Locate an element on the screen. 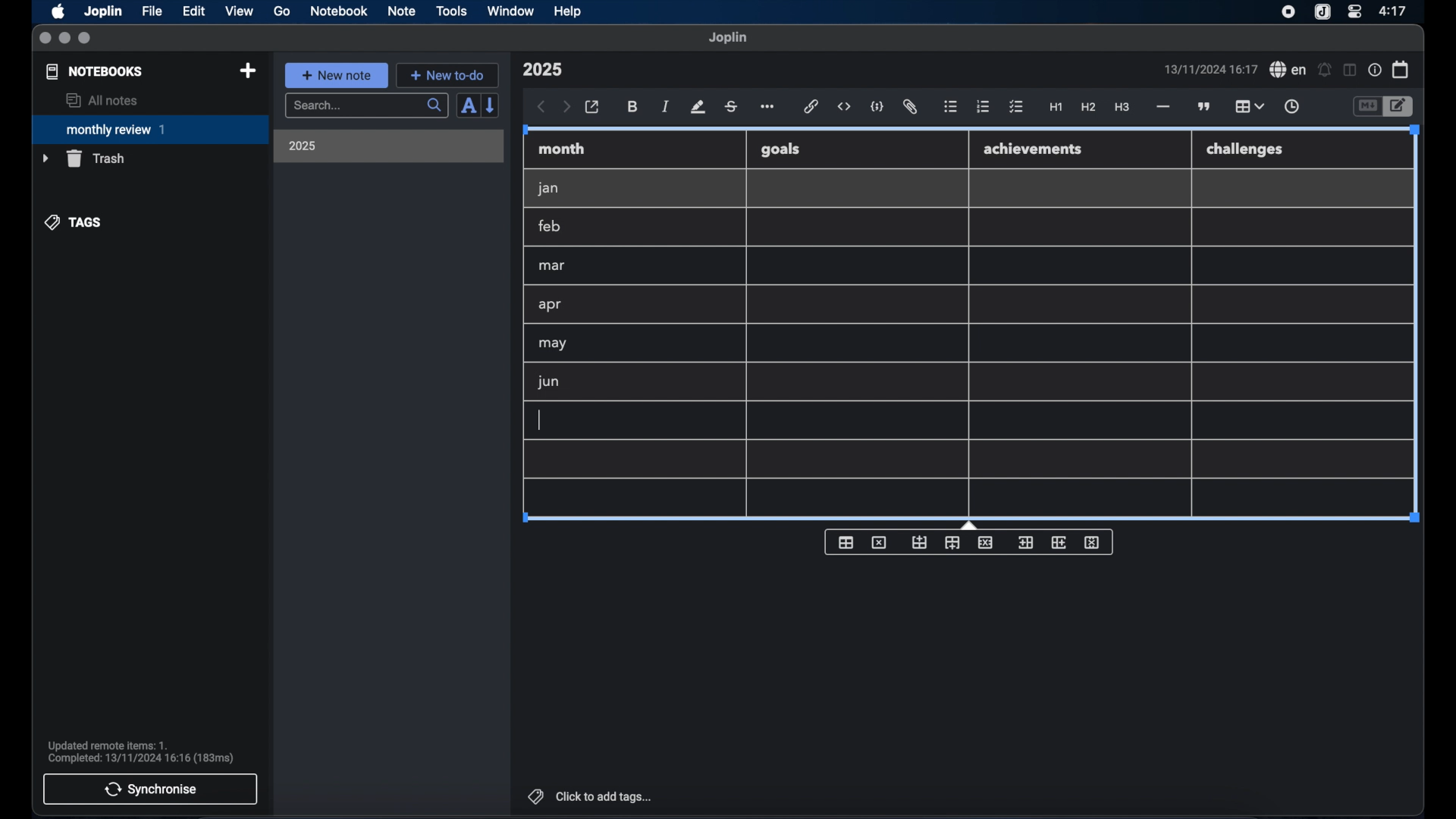  insert row before is located at coordinates (920, 543).